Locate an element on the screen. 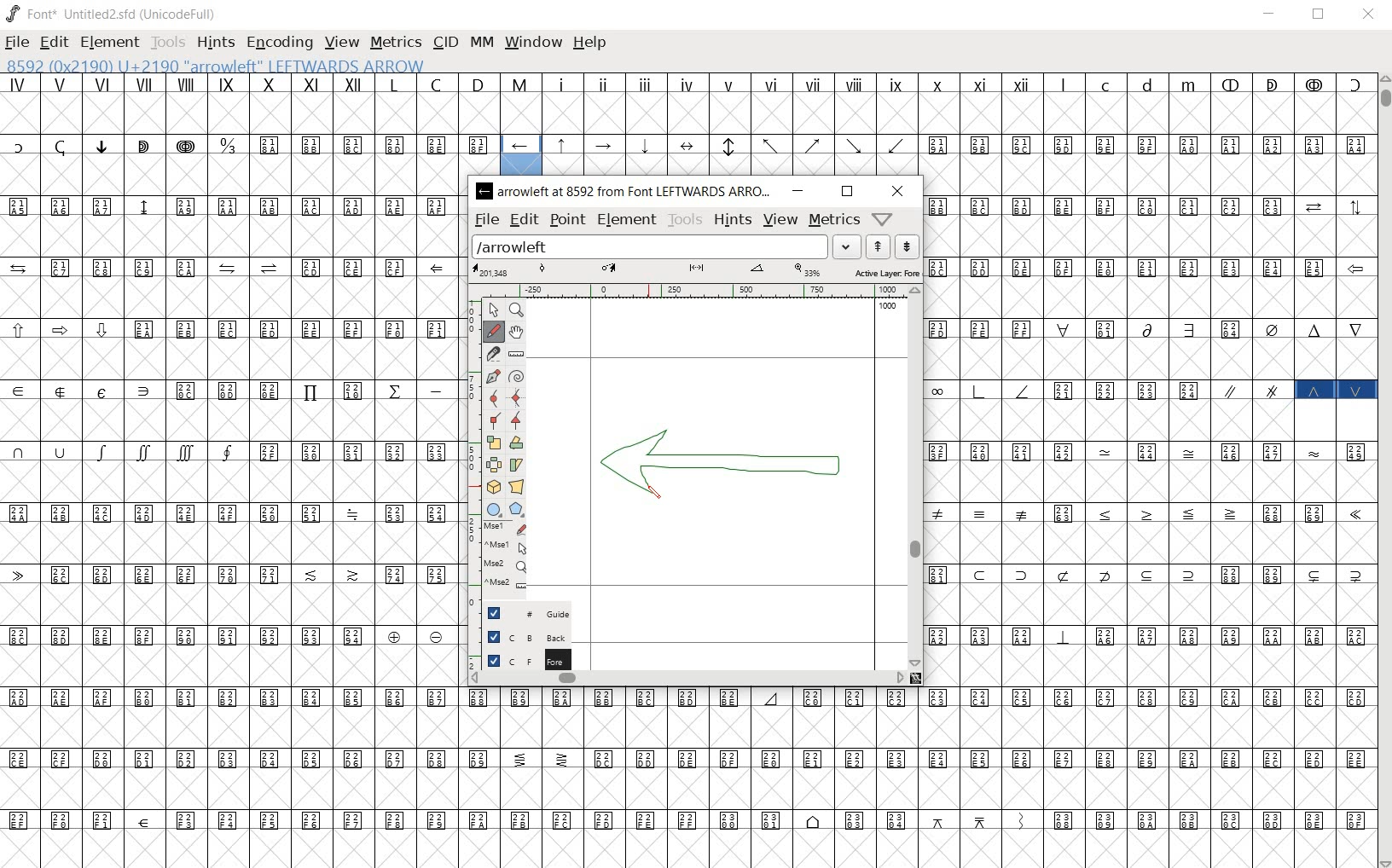  minimize is located at coordinates (1270, 14).